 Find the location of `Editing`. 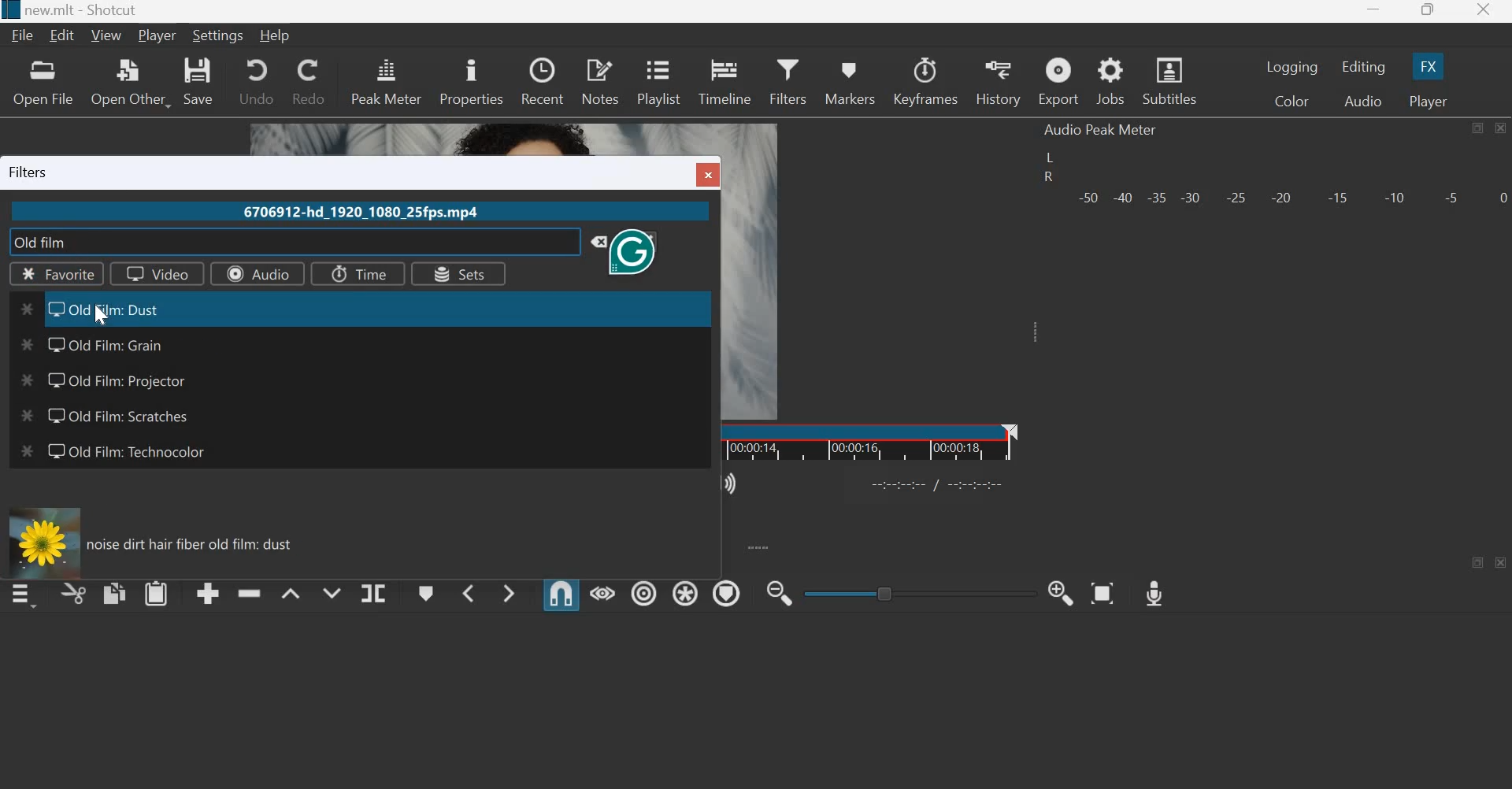

Editing is located at coordinates (1366, 67).